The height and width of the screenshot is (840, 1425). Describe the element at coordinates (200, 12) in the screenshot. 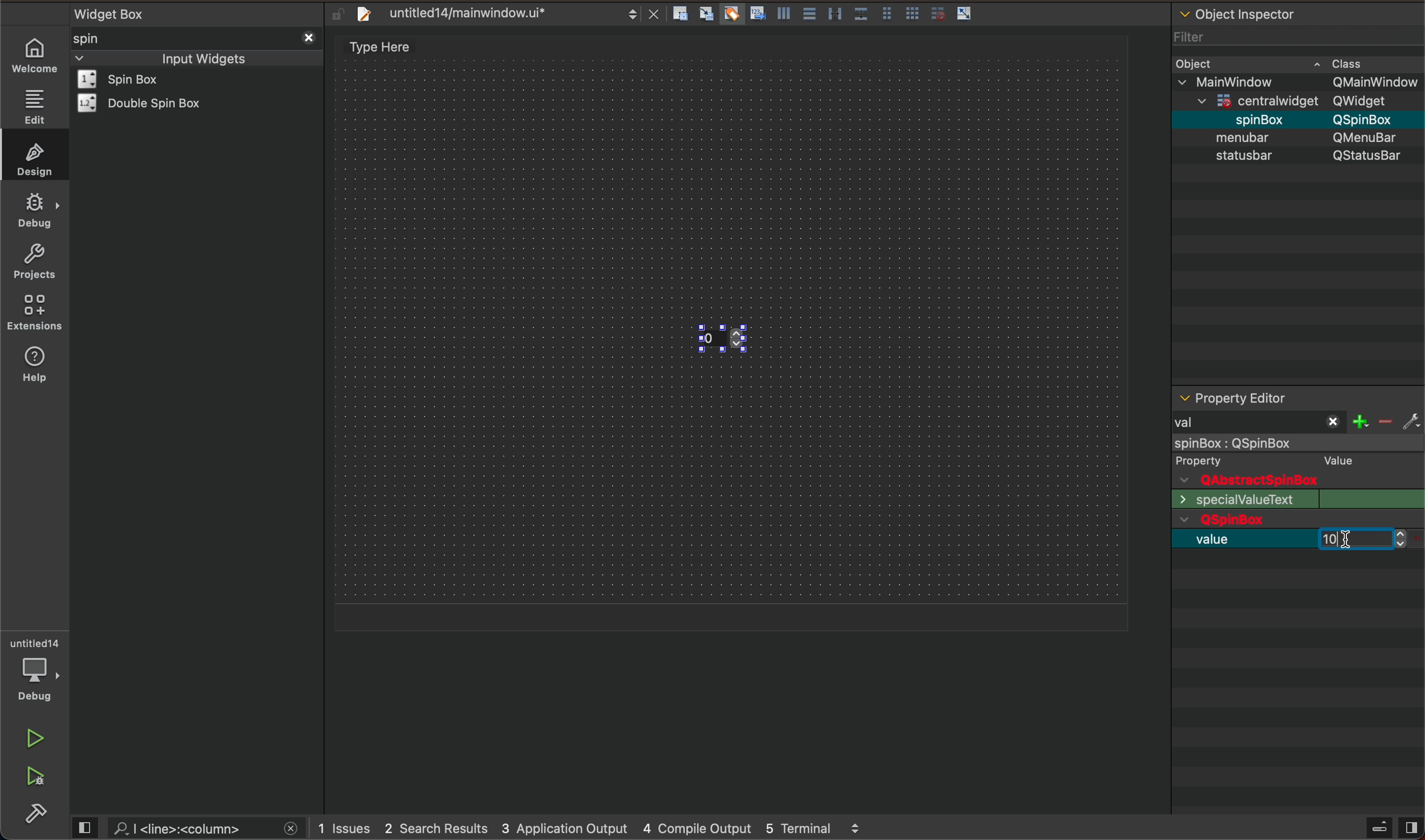

I see `widget box` at that location.